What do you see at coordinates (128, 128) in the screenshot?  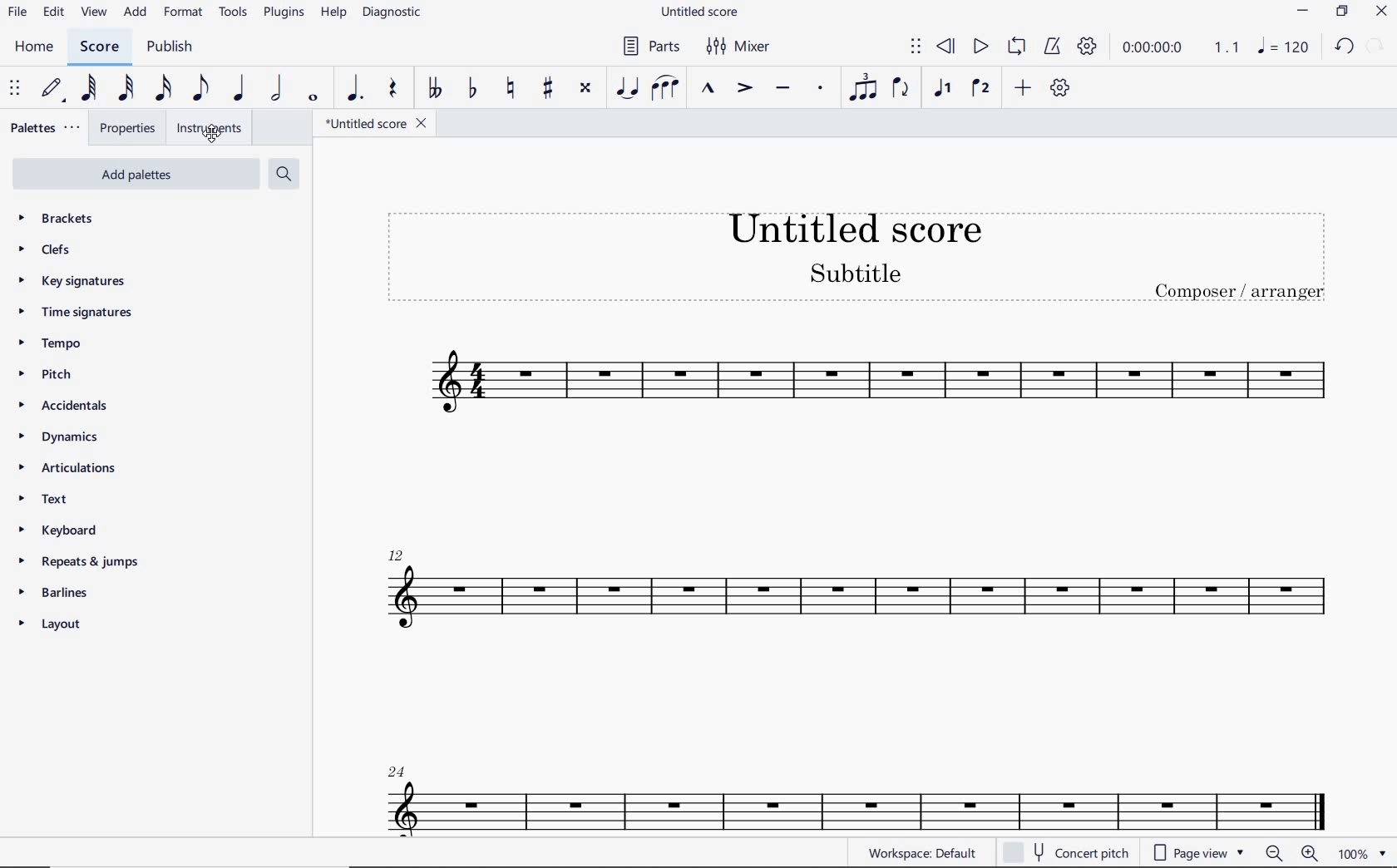 I see `properties` at bounding box center [128, 128].